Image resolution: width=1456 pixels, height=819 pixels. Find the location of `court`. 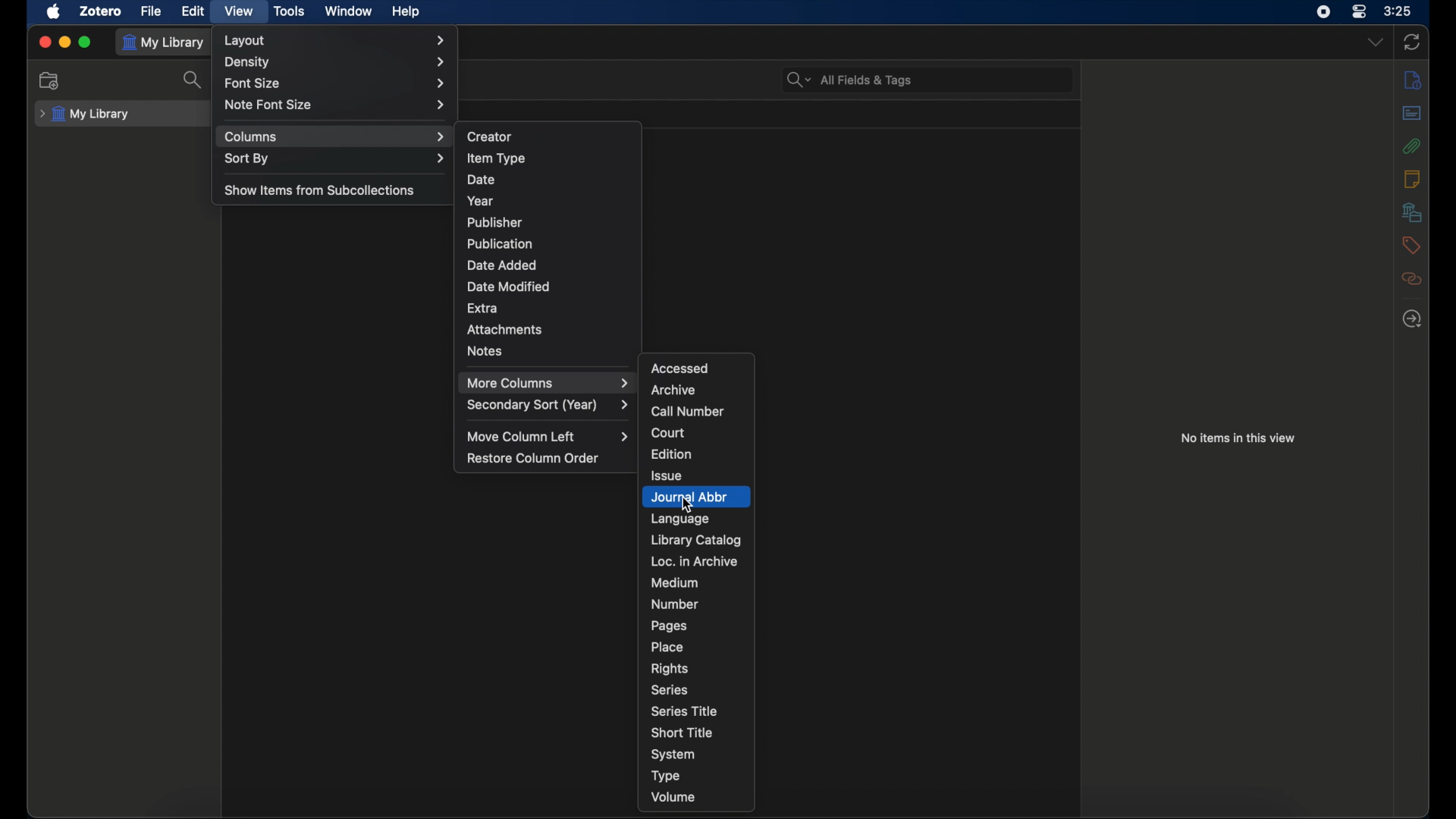

court is located at coordinates (667, 432).